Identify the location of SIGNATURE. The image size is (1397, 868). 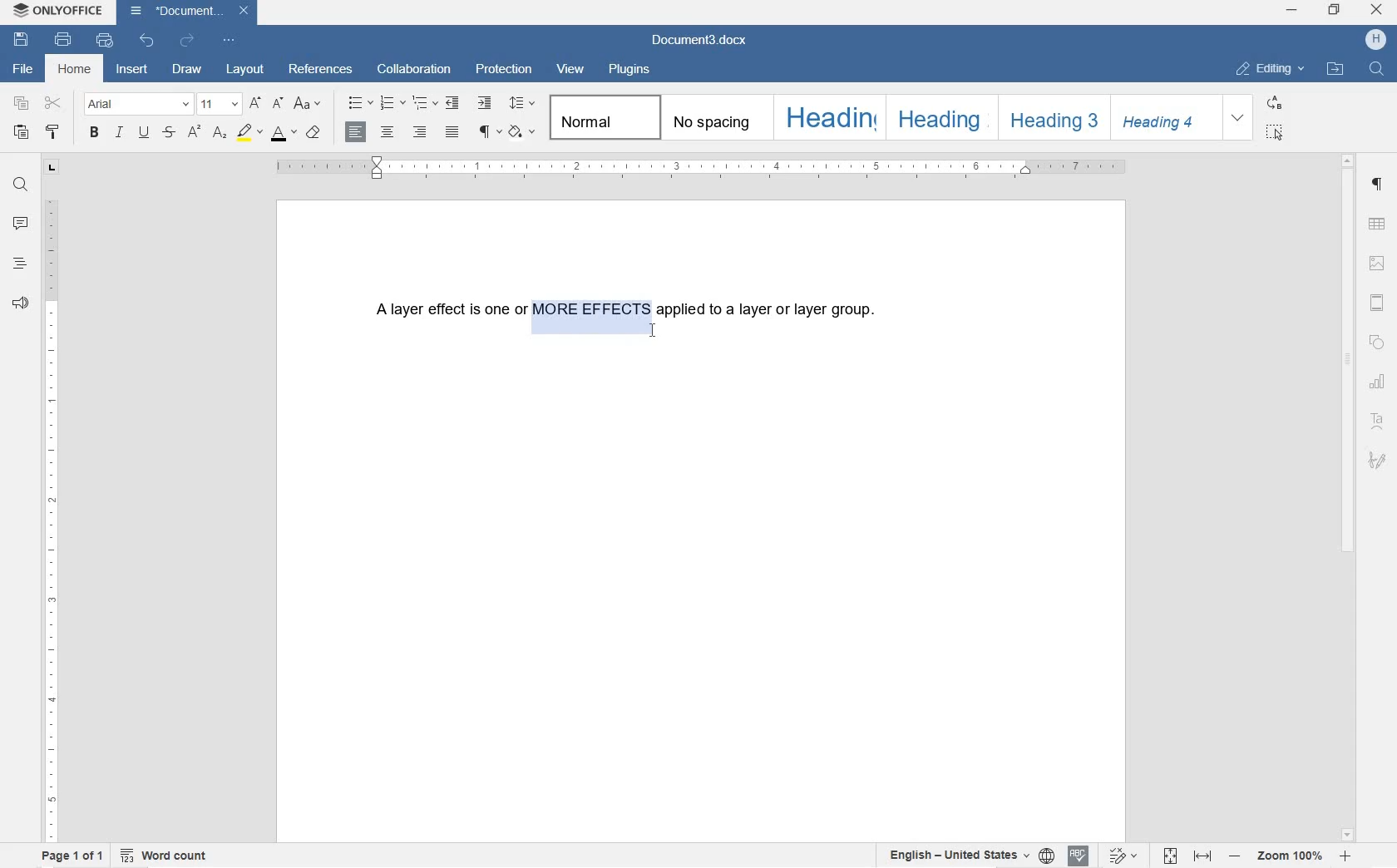
(1378, 458).